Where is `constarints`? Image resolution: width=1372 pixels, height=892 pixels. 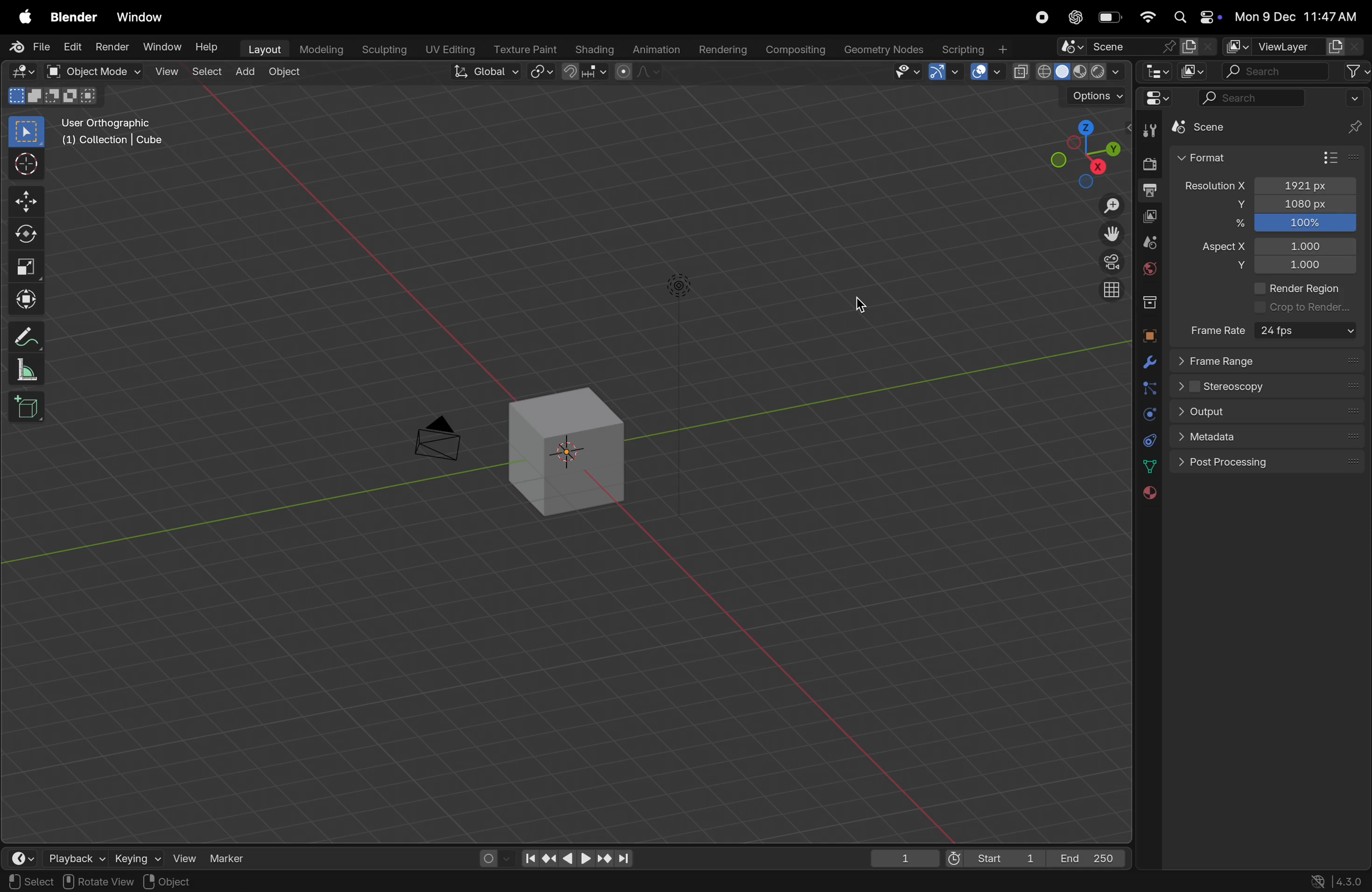 constarints is located at coordinates (1148, 439).